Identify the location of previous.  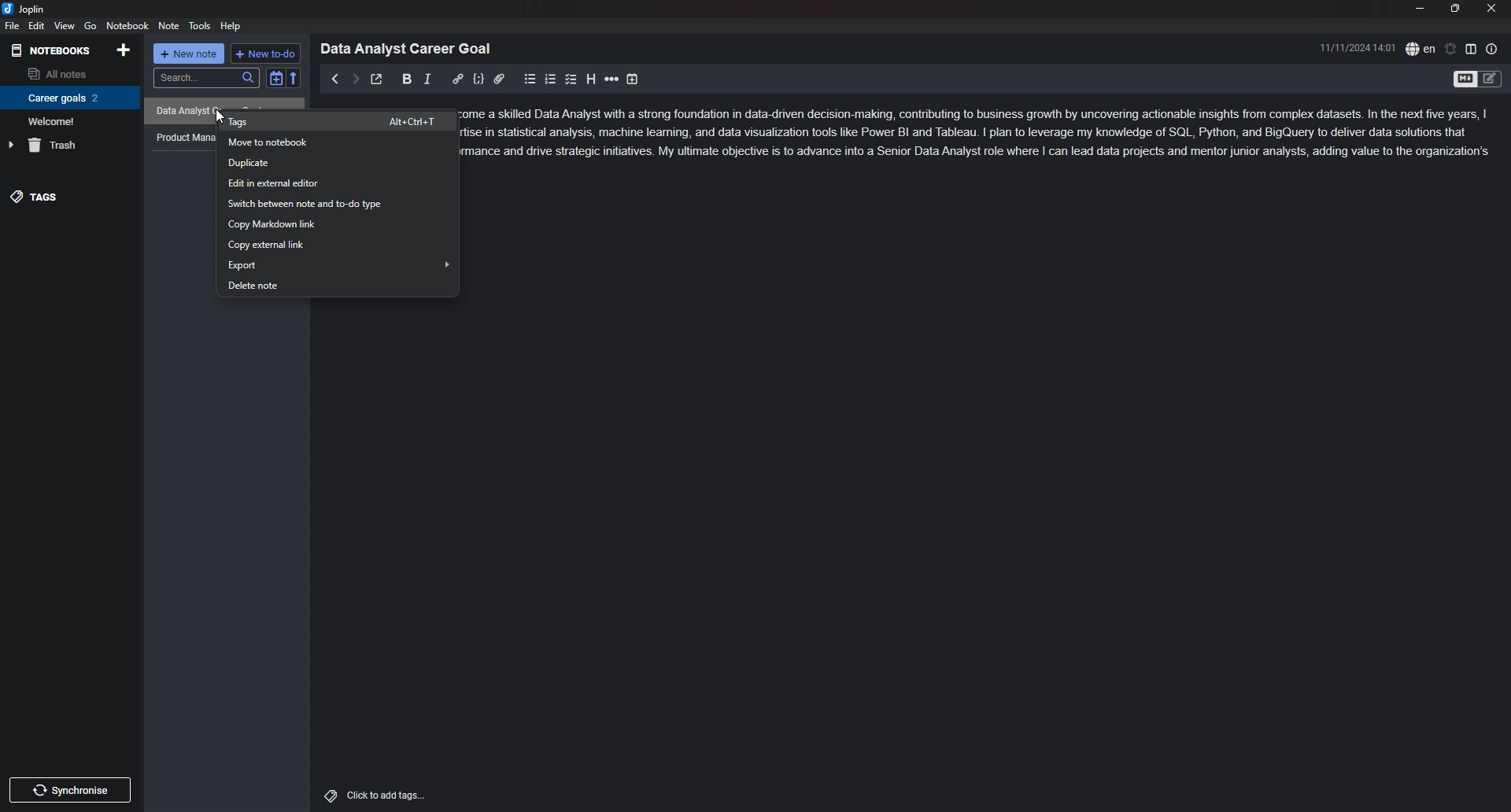
(334, 79).